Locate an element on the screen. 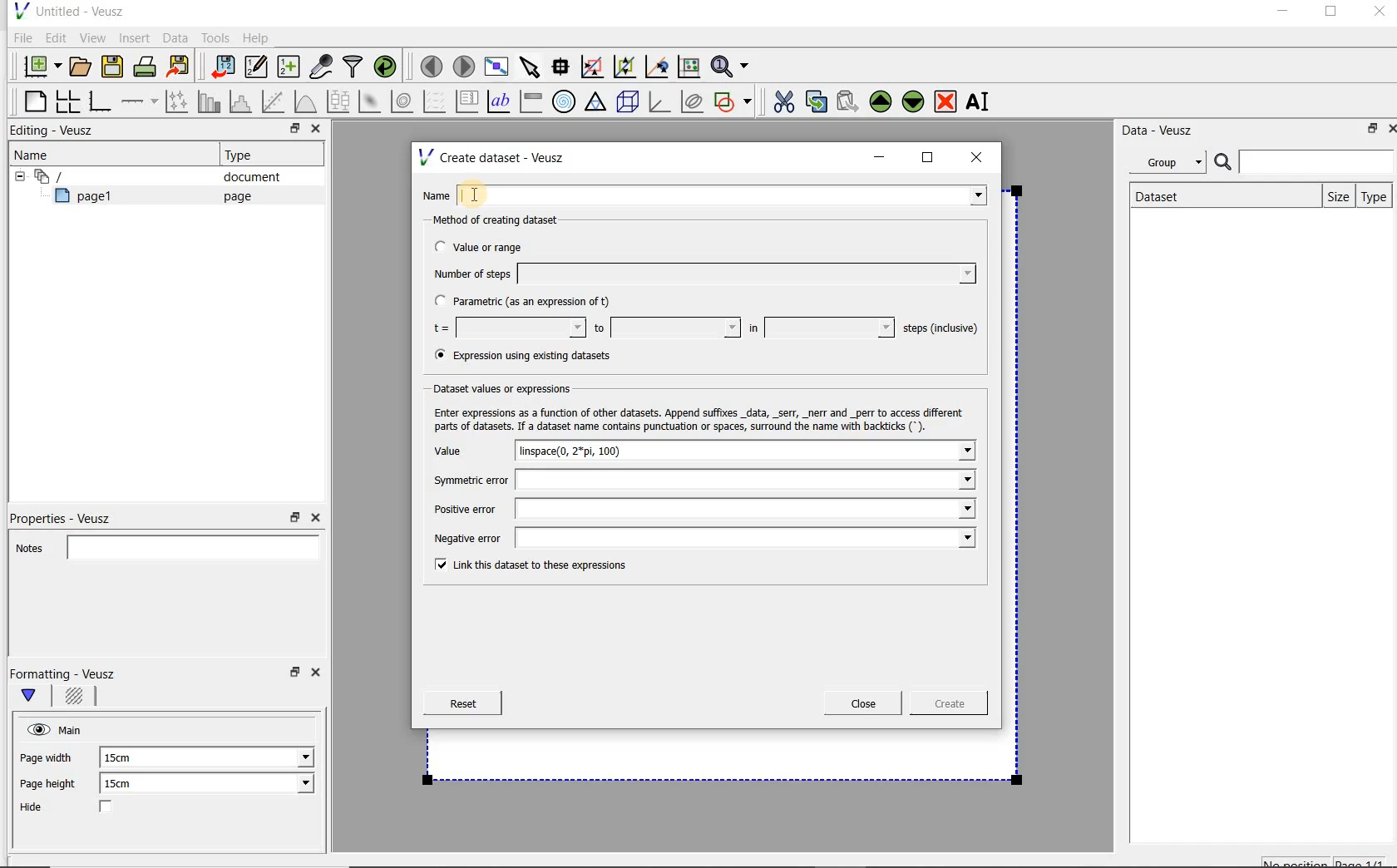 The height and width of the screenshot is (868, 1397). reload linked datasets is located at coordinates (388, 67).